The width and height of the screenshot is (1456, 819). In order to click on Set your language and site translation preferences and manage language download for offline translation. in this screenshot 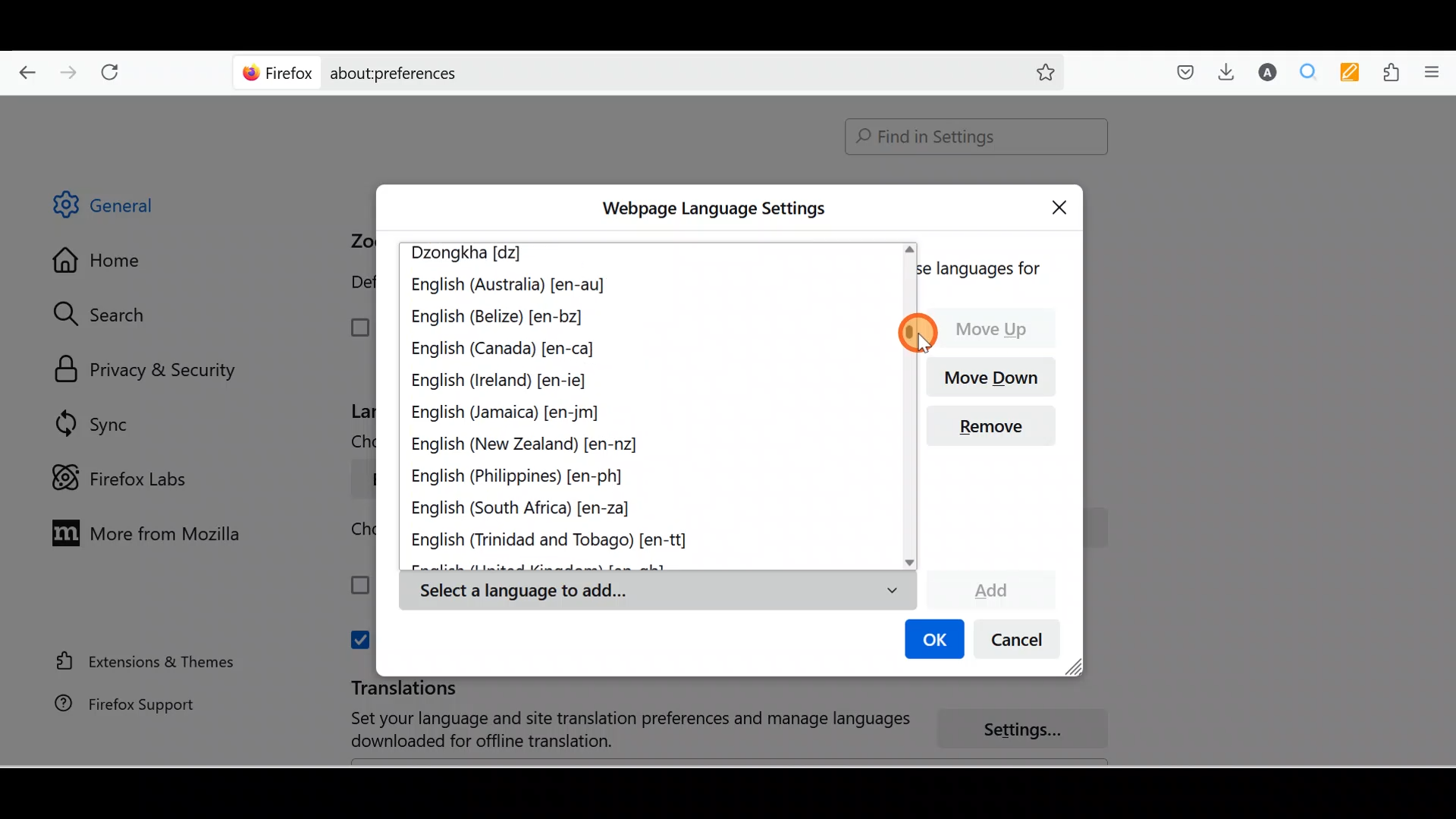, I will do `click(616, 730)`.